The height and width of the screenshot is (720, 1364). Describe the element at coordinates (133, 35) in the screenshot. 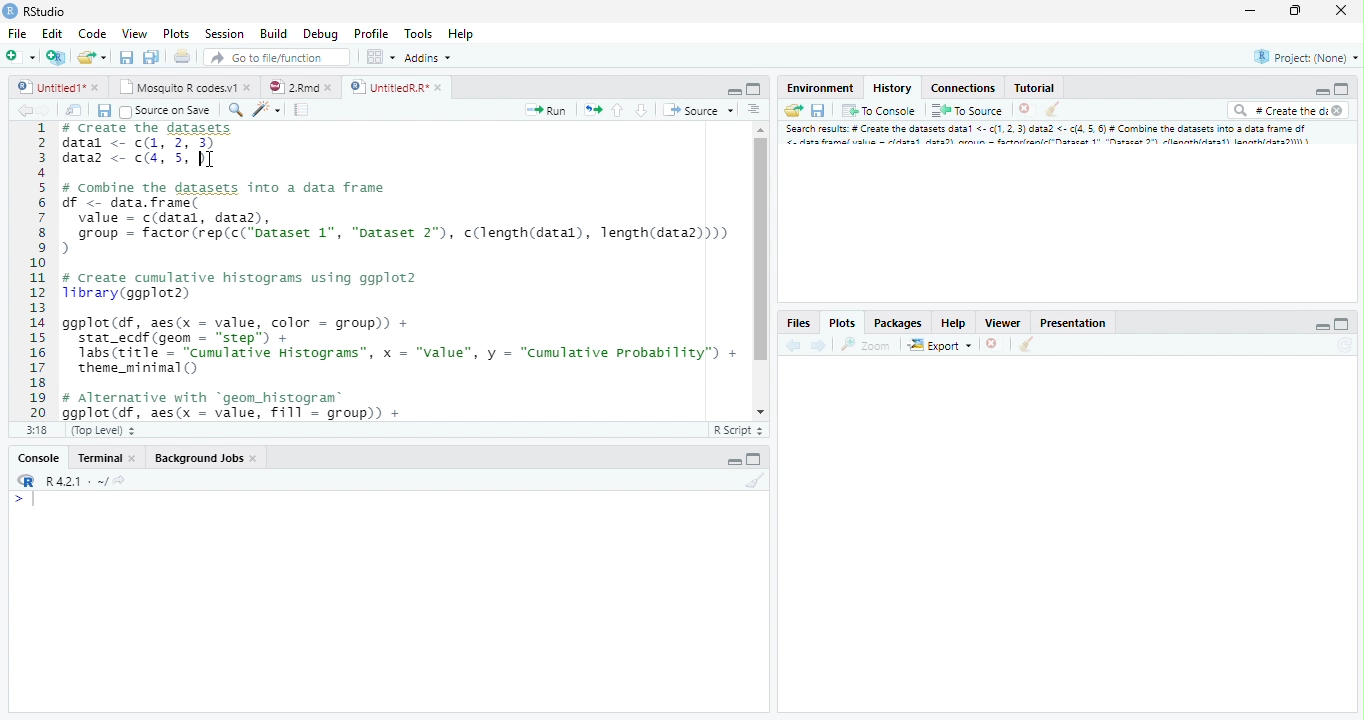

I see `View` at that location.